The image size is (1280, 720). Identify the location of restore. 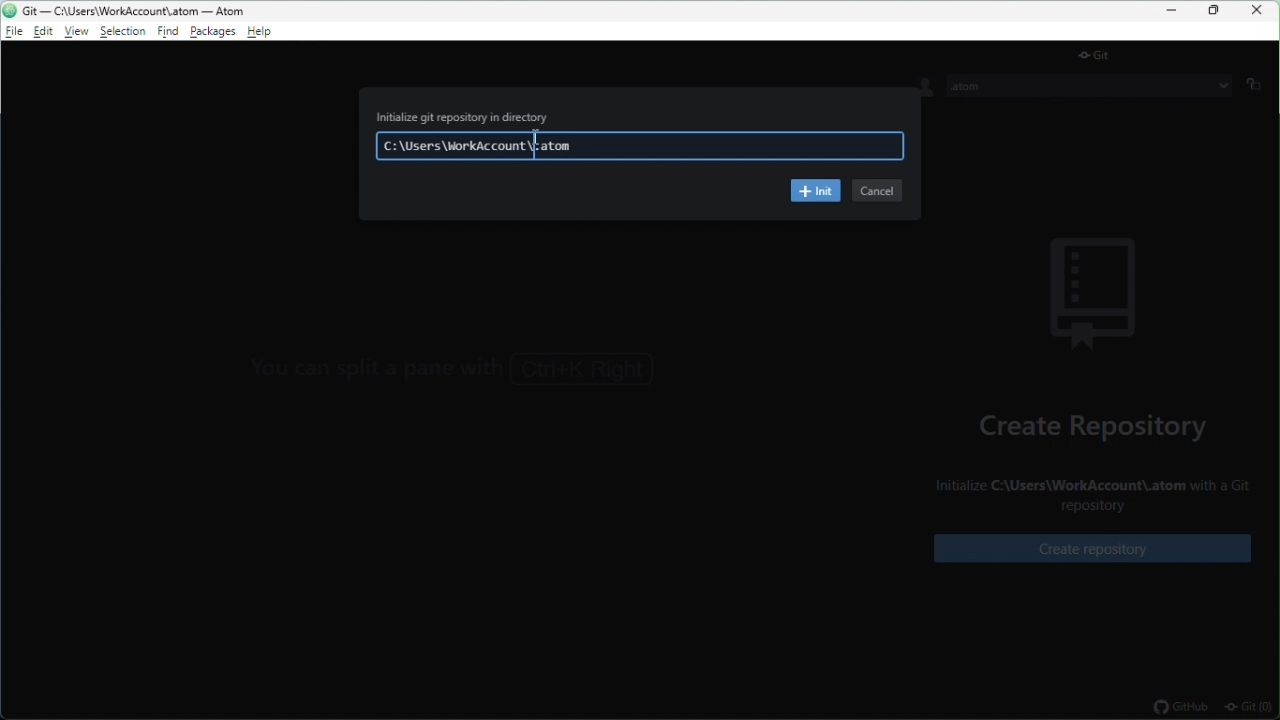
(1216, 10).